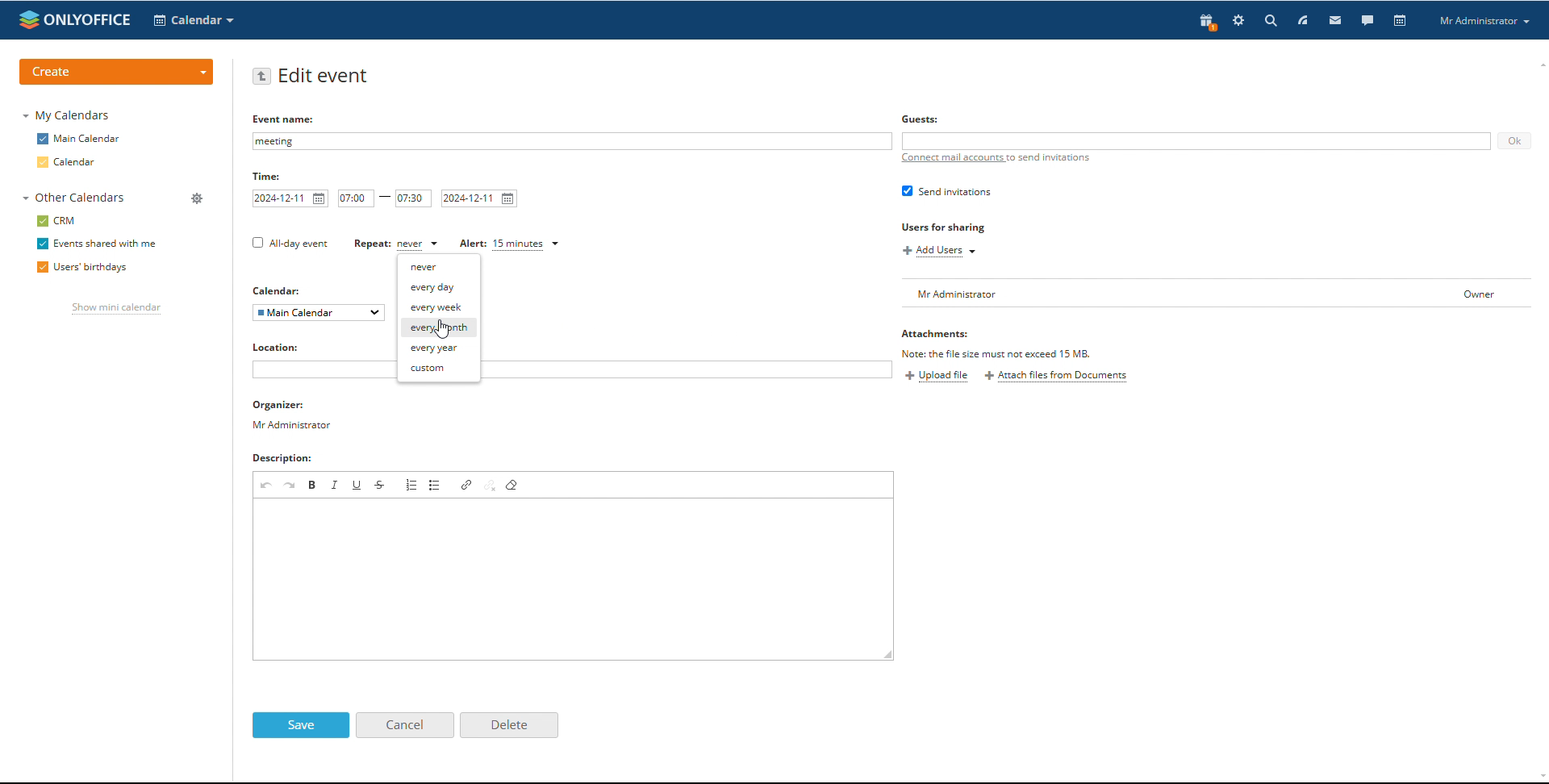  Describe the element at coordinates (97, 244) in the screenshot. I see `events shared with me` at that location.